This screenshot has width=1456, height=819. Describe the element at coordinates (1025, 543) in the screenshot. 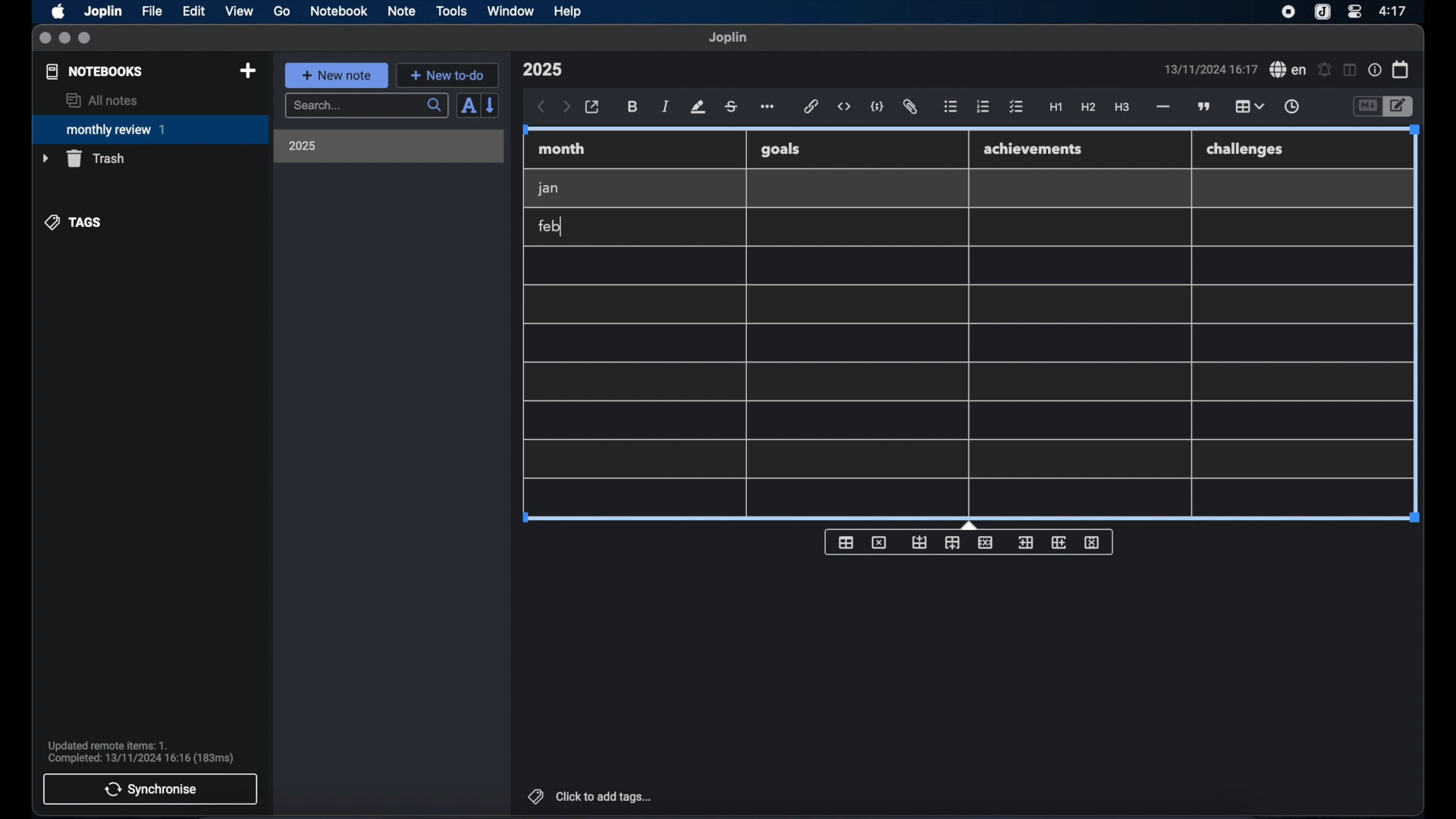

I see `insert column before` at that location.